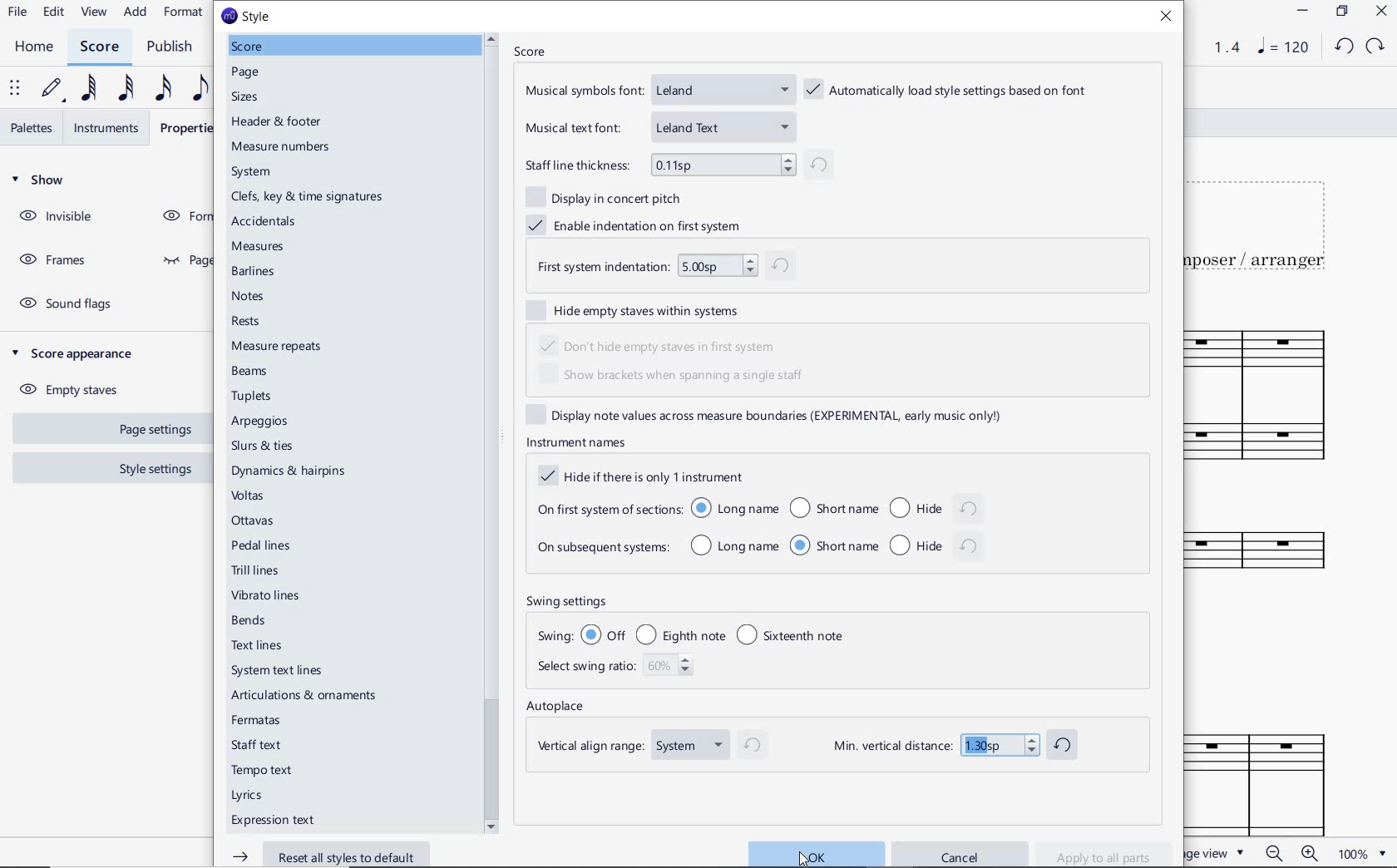  Describe the element at coordinates (806, 857) in the screenshot. I see `cursor` at that location.